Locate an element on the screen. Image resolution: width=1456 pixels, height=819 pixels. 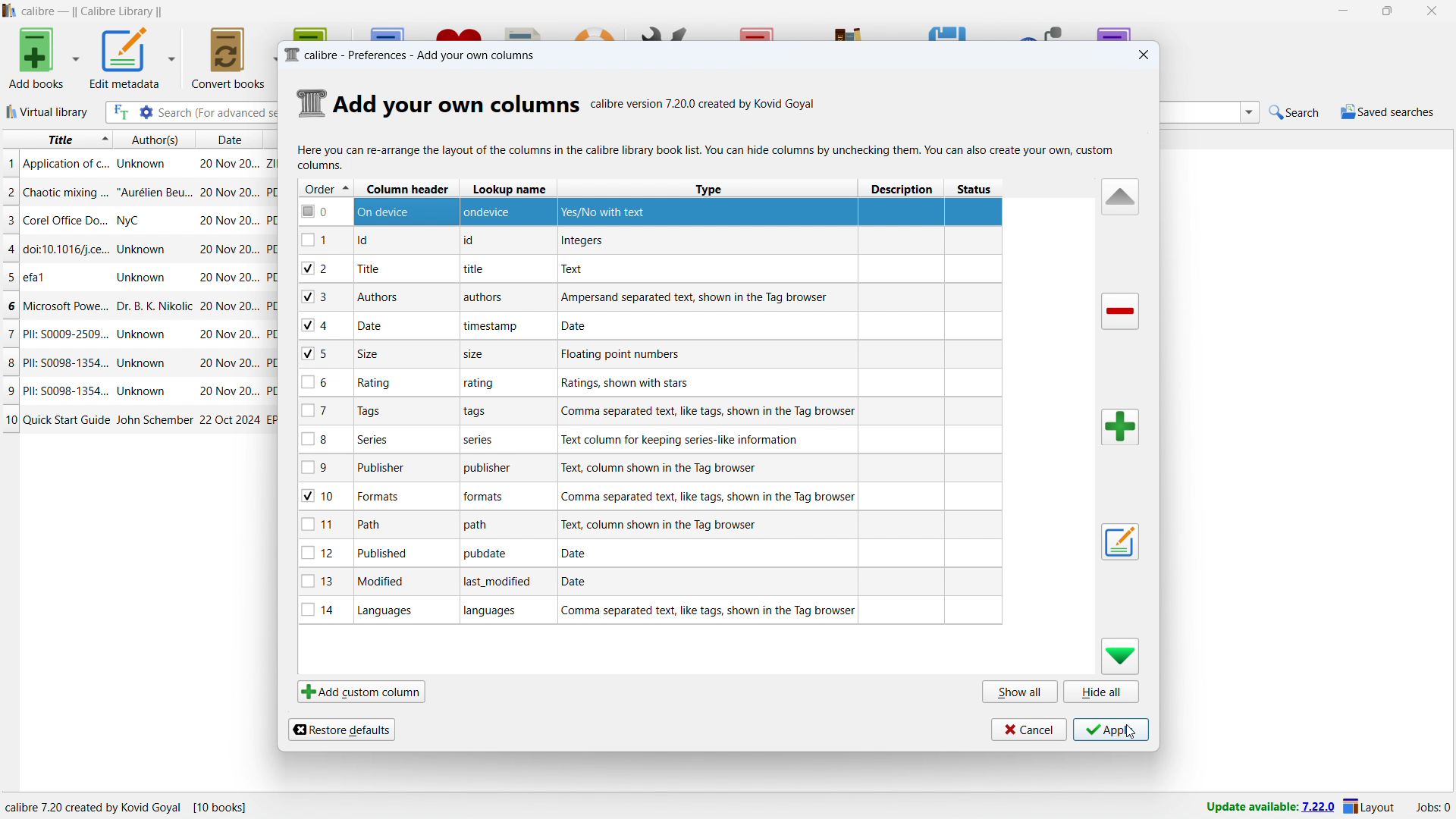
path is located at coordinates (483, 526).